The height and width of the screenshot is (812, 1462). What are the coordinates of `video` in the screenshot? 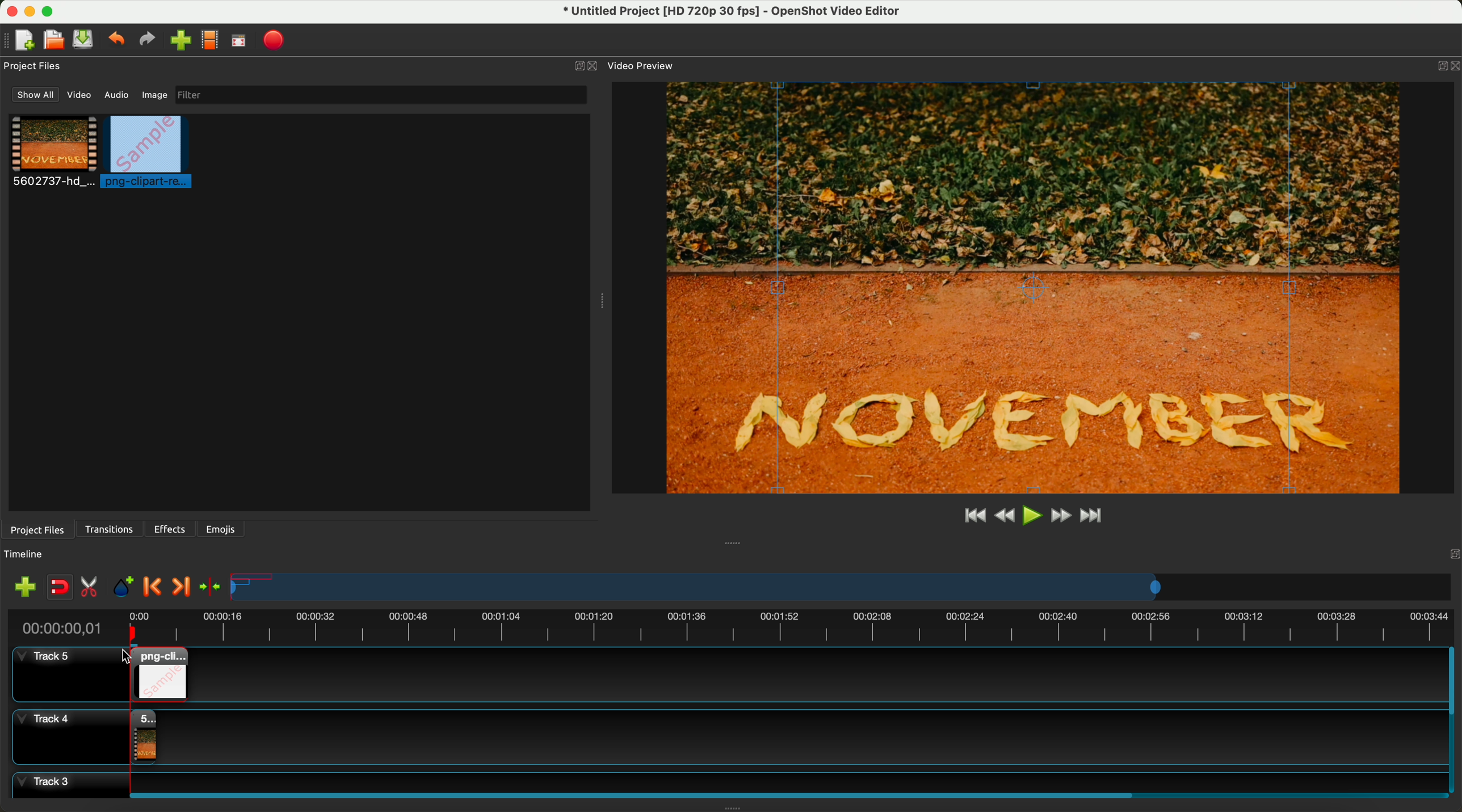 It's located at (54, 153).